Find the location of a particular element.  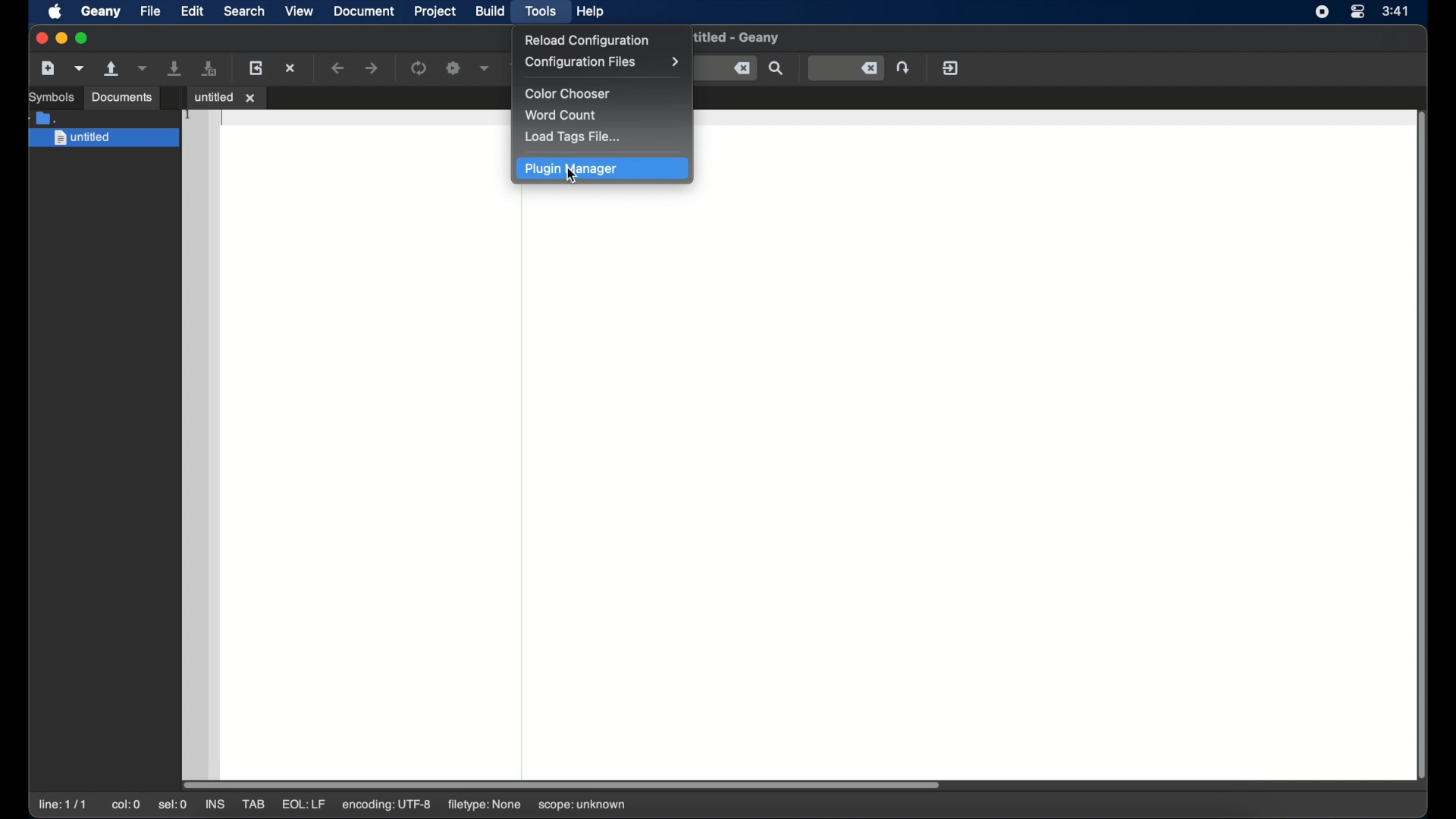

jump to entered line number is located at coordinates (903, 67).